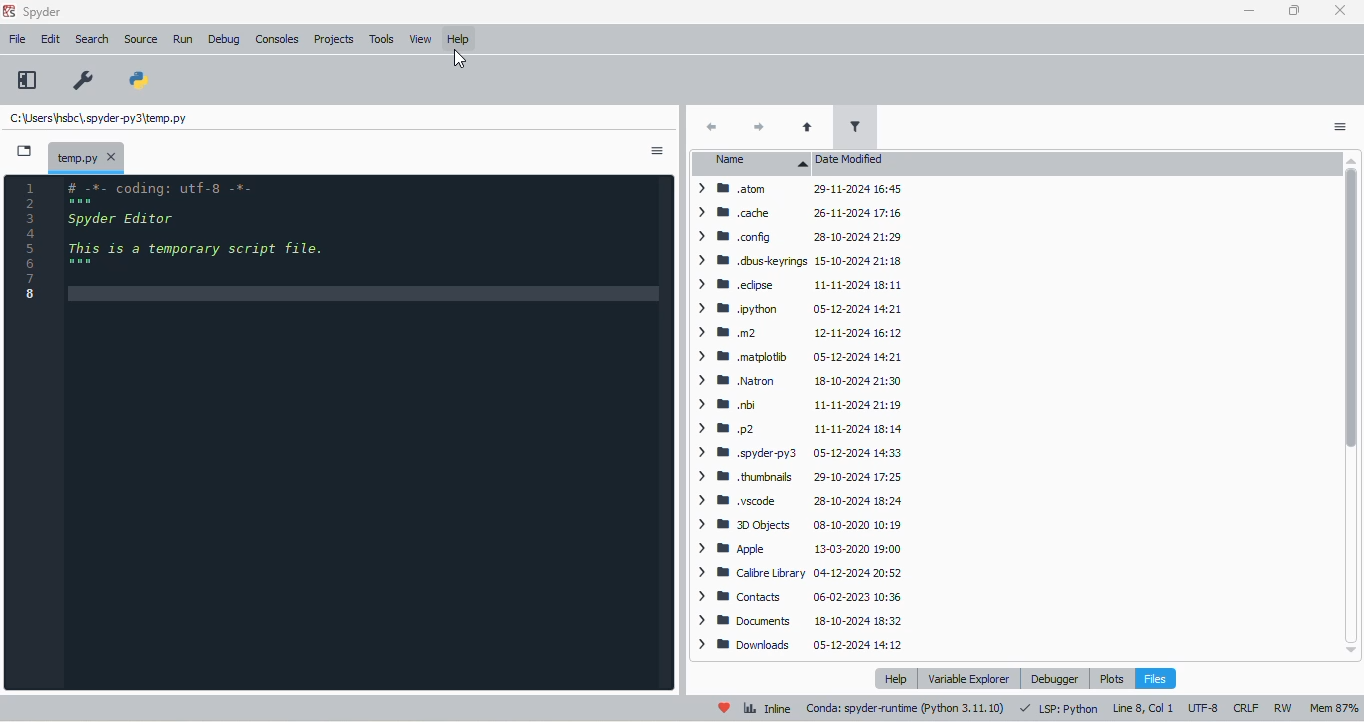 This screenshot has height=722, width=1364. What do you see at coordinates (725, 708) in the screenshot?
I see `help spyder!` at bounding box center [725, 708].